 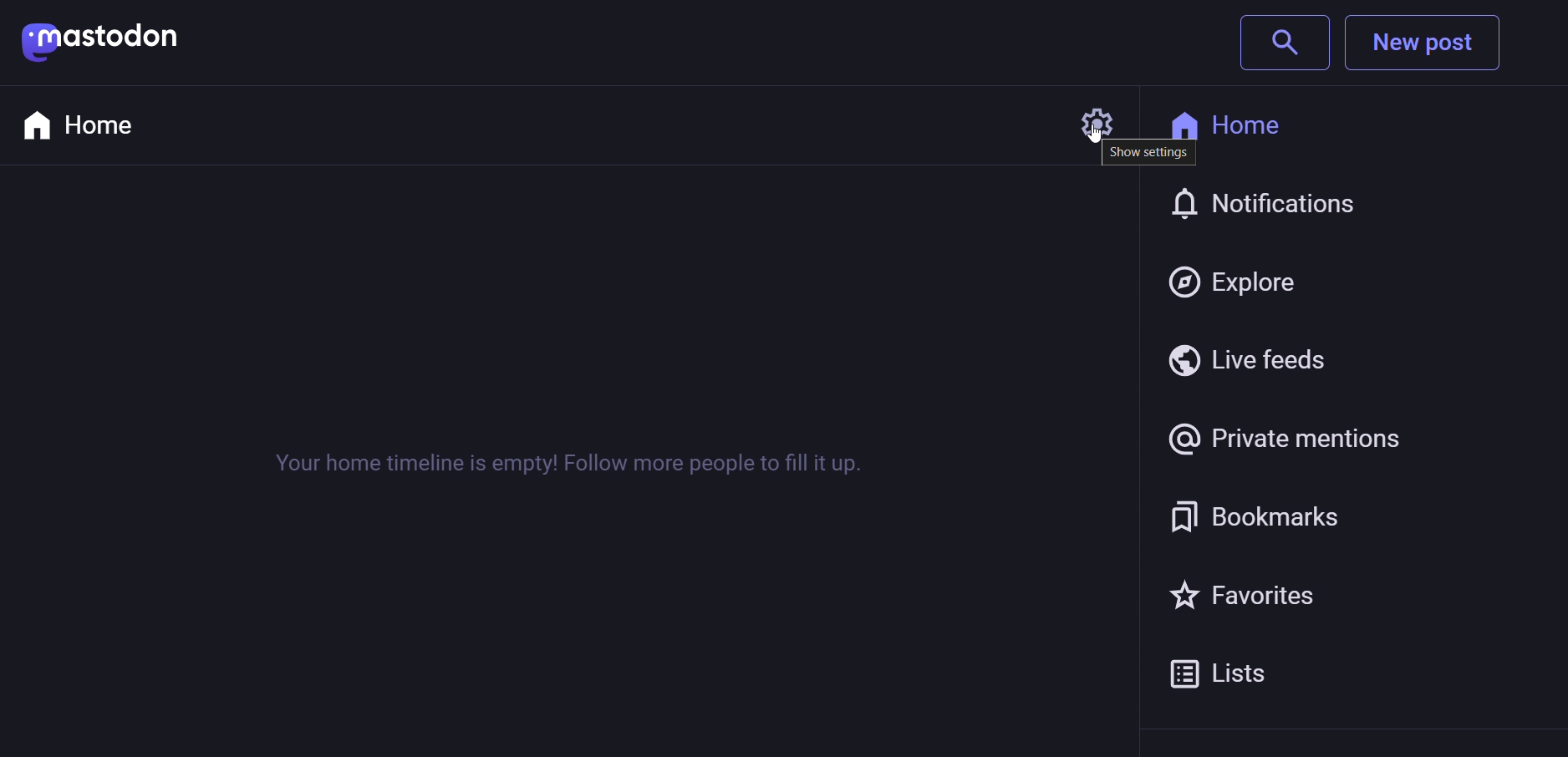 What do you see at coordinates (1233, 672) in the screenshot?
I see `list` at bounding box center [1233, 672].